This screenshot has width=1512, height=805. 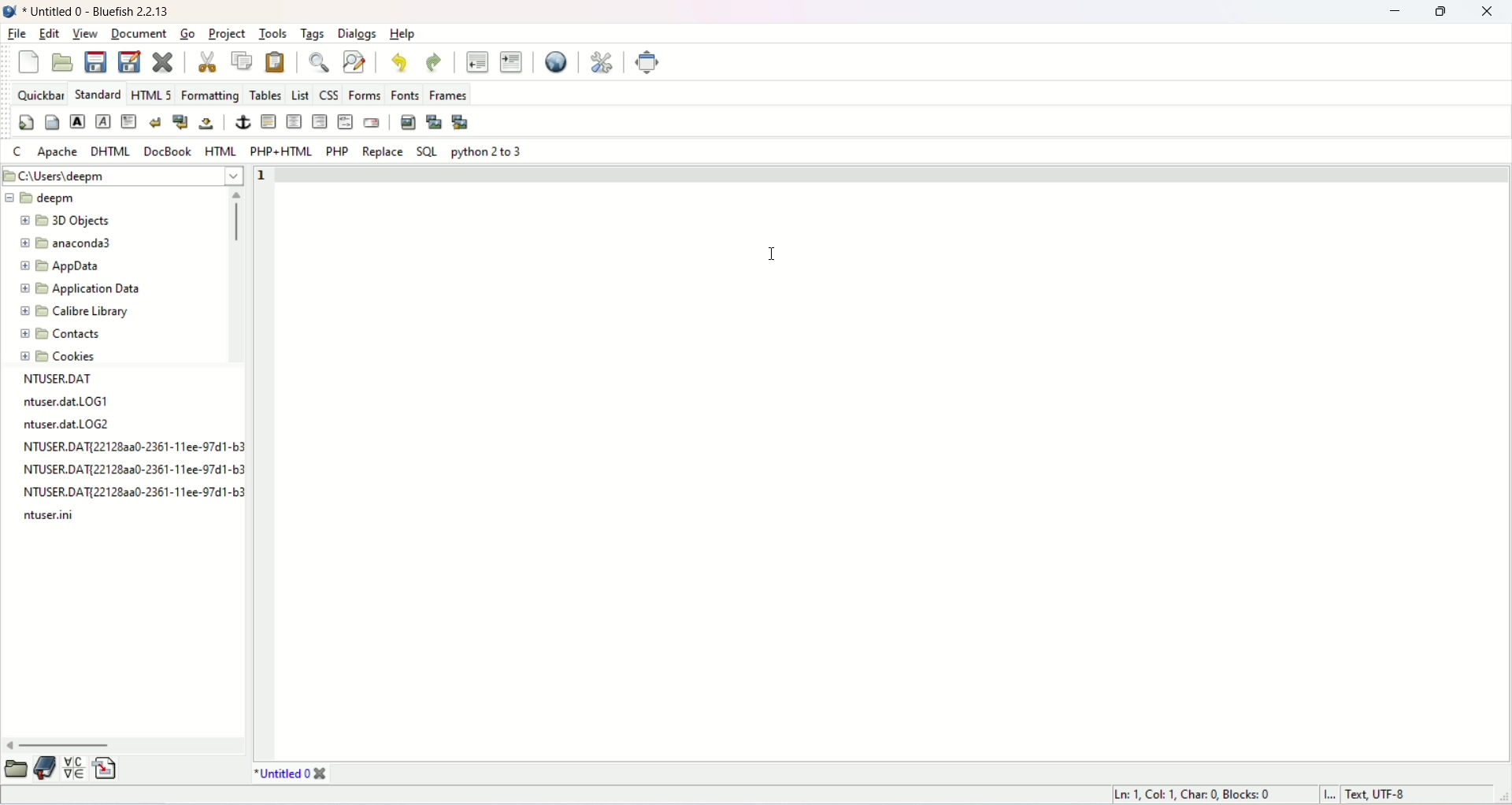 I want to click on paragraph, so click(x=128, y=123).